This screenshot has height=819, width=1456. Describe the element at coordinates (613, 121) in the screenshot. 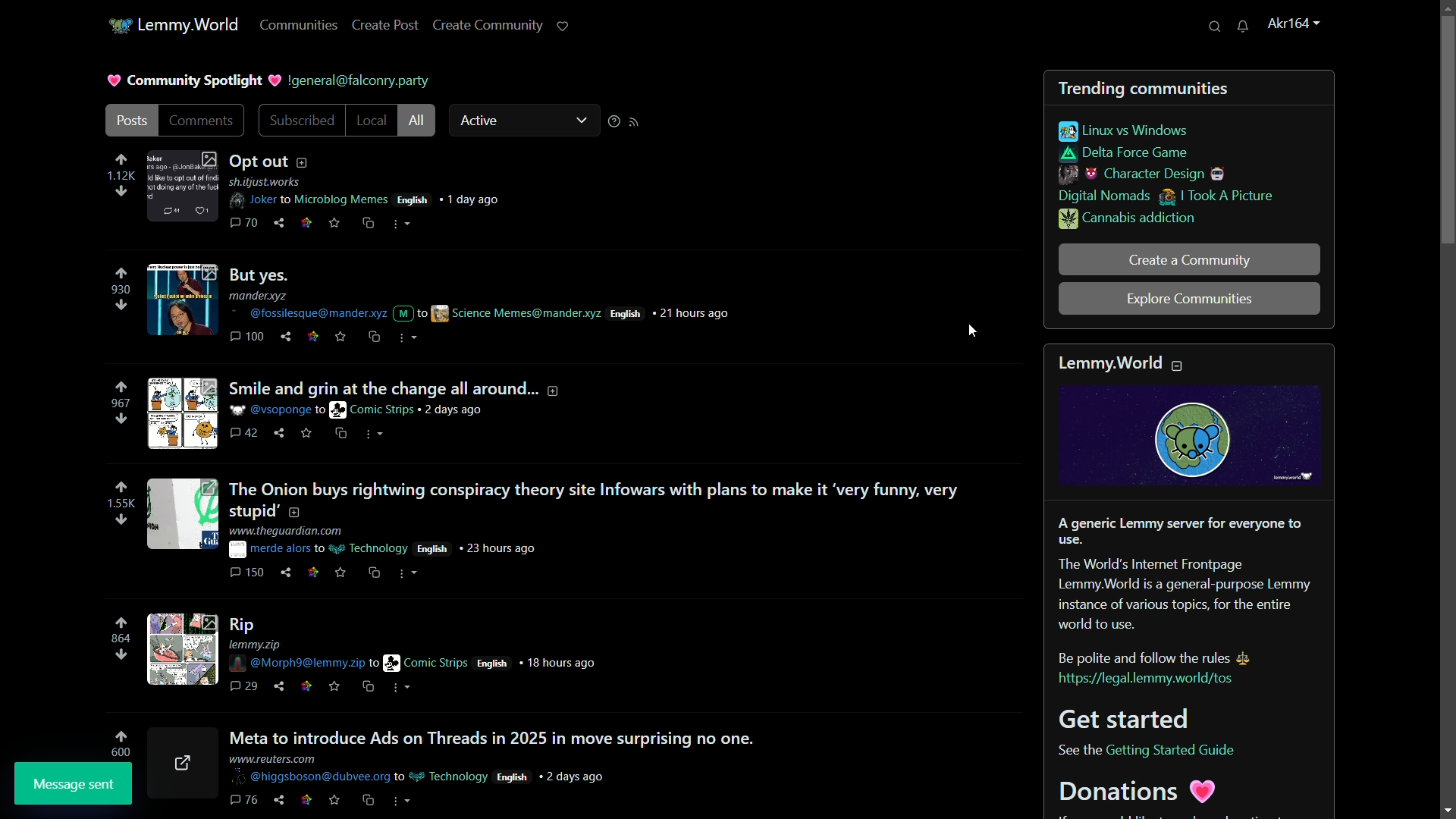

I see `sorting help` at that location.